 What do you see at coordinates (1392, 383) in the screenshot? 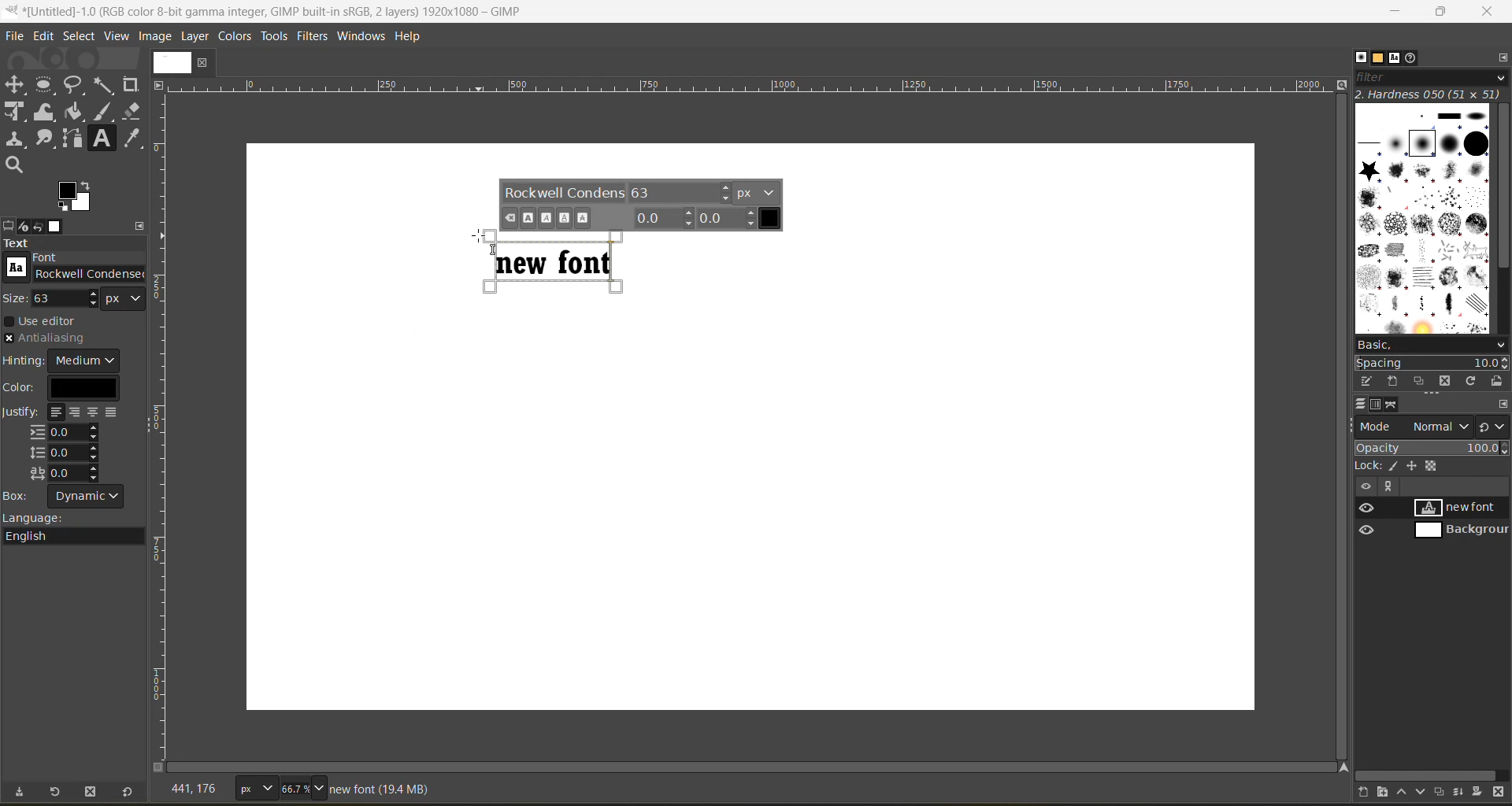
I see `create a new brush` at bounding box center [1392, 383].